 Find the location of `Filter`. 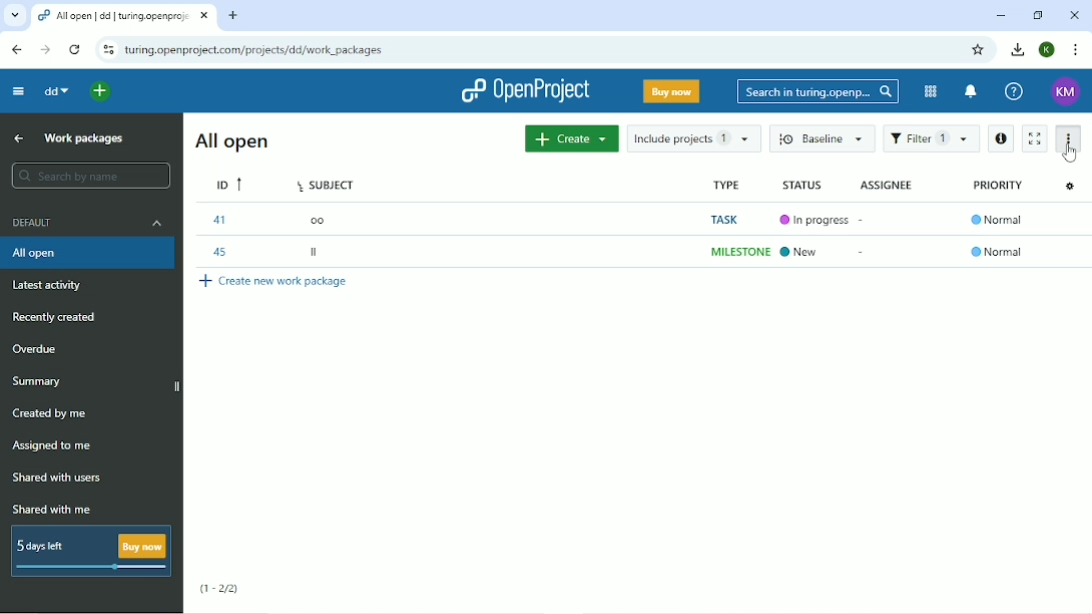

Filter is located at coordinates (932, 139).